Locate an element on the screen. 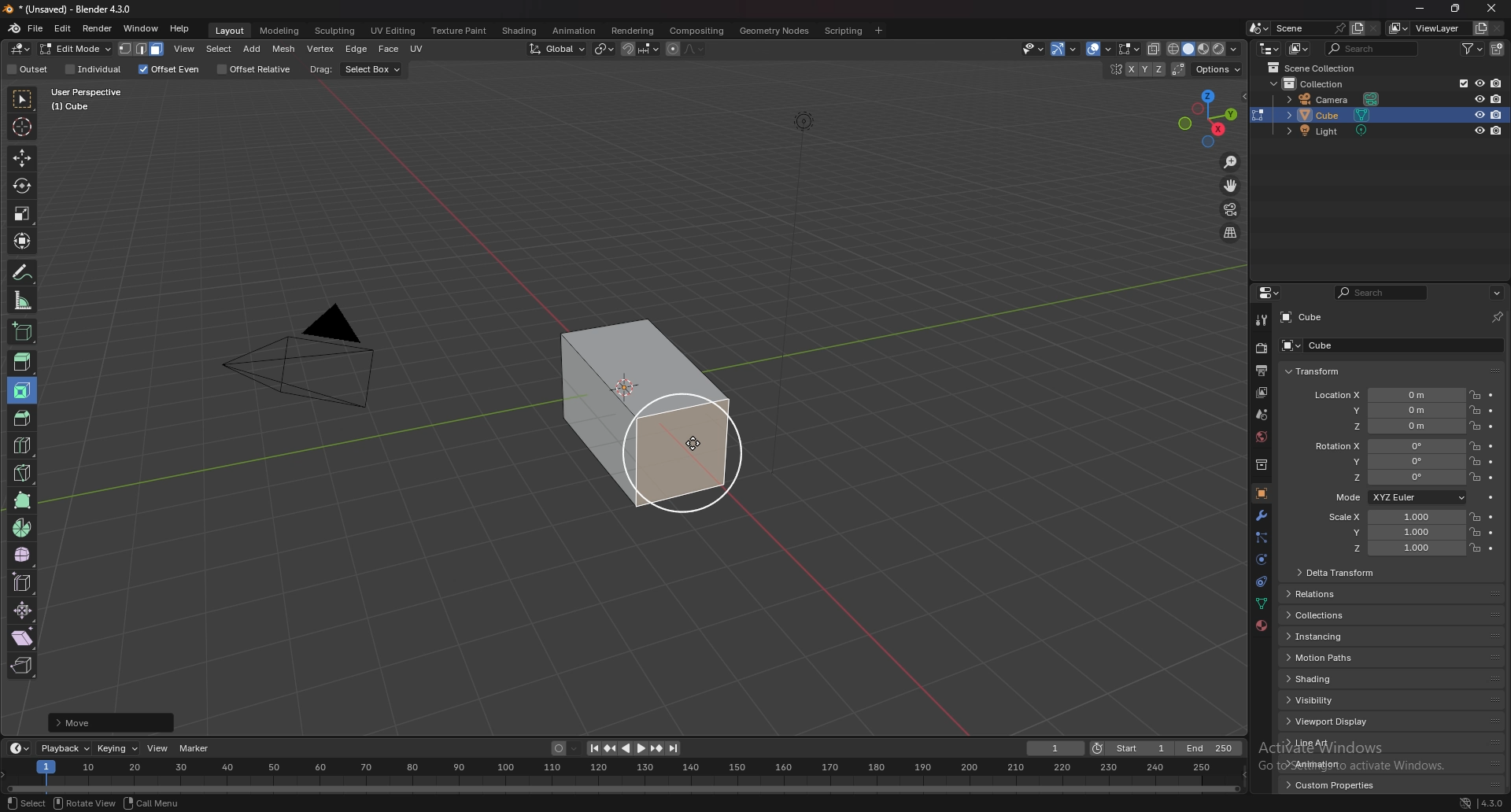 The image size is (1511, 812). loop cut is located at coordinates (24, 445).